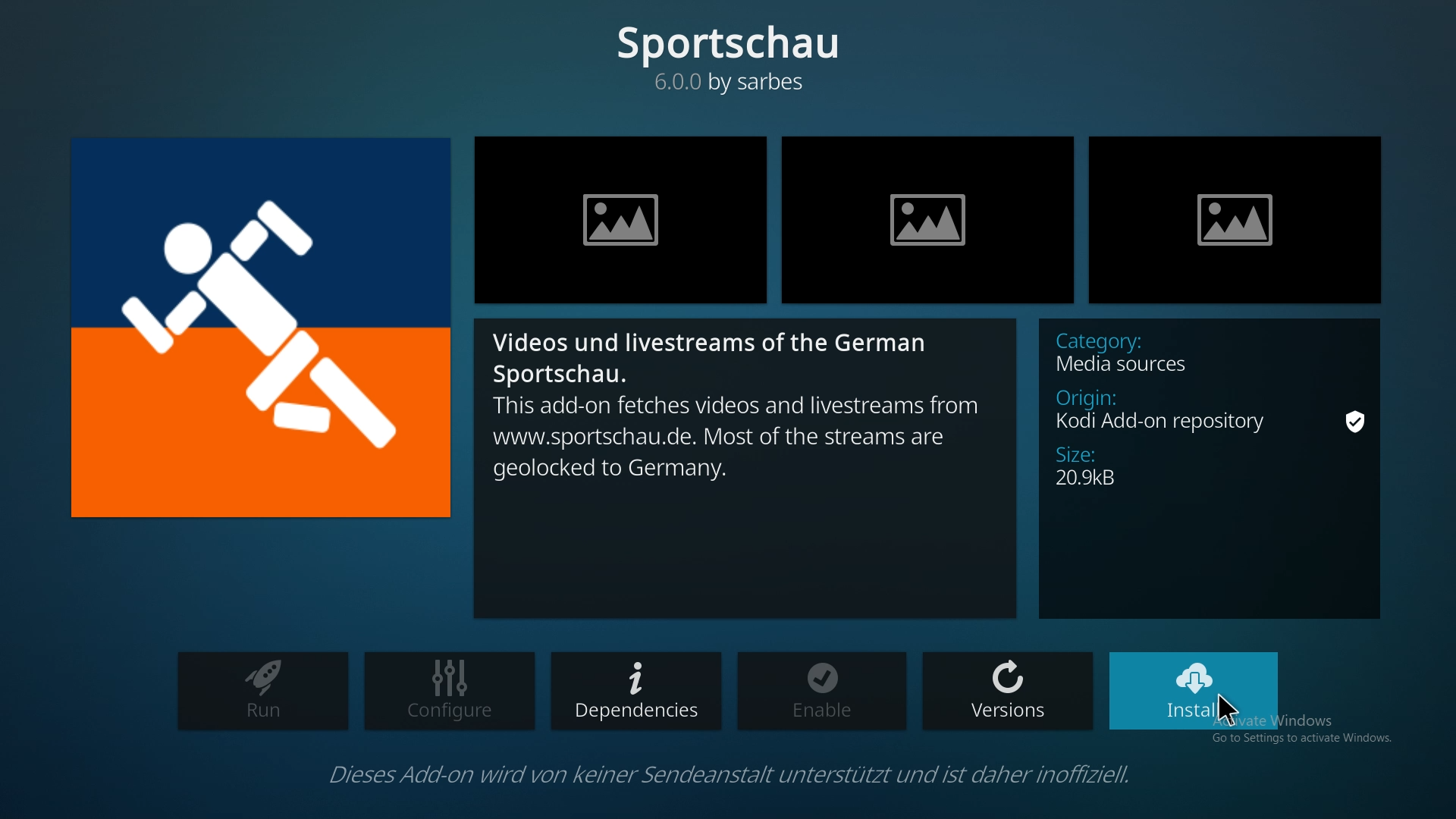  Describe the element at coordinates (698, 772) in the screenshot. I see `info` at that location.